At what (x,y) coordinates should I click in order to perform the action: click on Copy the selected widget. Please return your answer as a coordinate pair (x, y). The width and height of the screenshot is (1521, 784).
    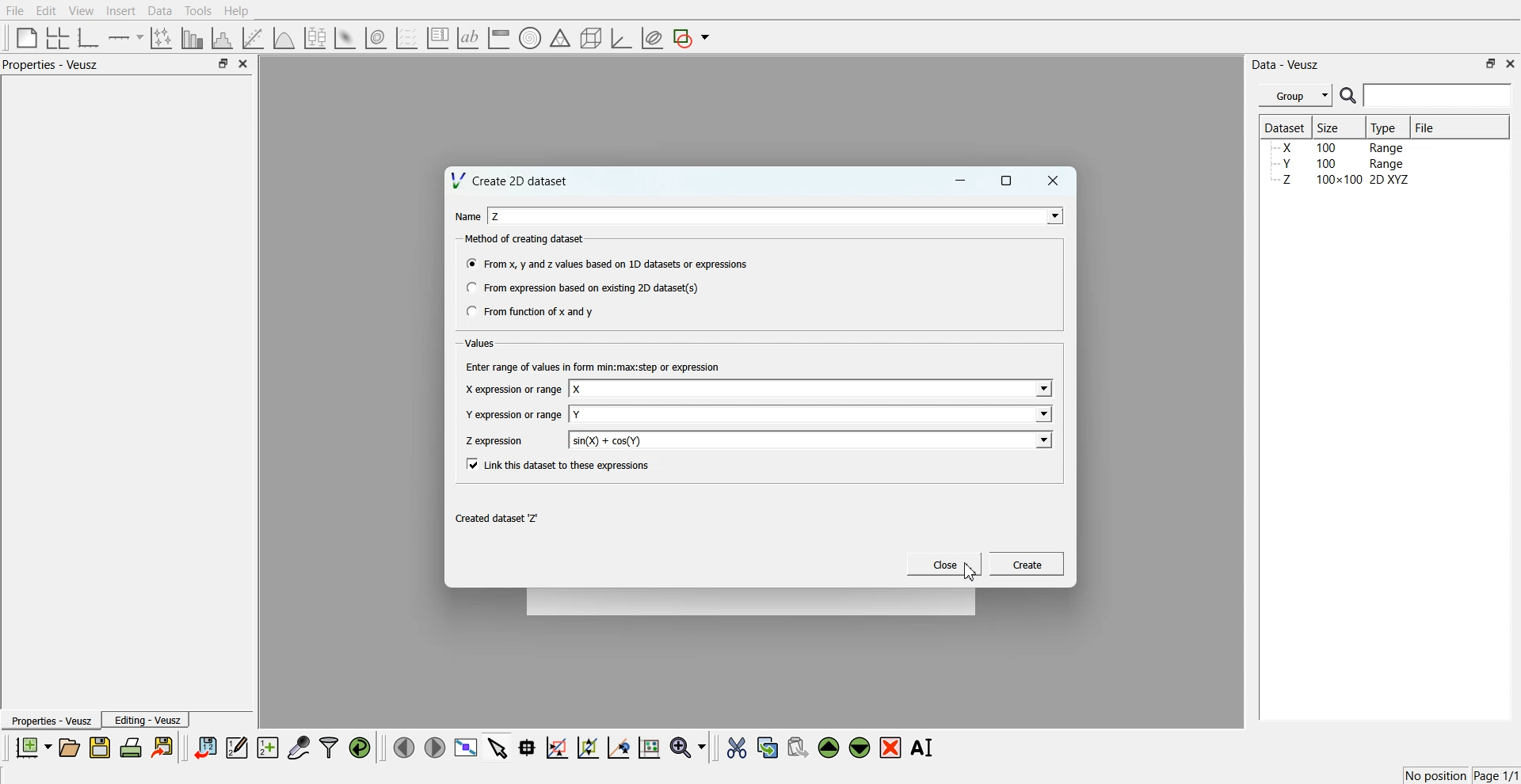
    Looking at the image, I should click on (768, 747).